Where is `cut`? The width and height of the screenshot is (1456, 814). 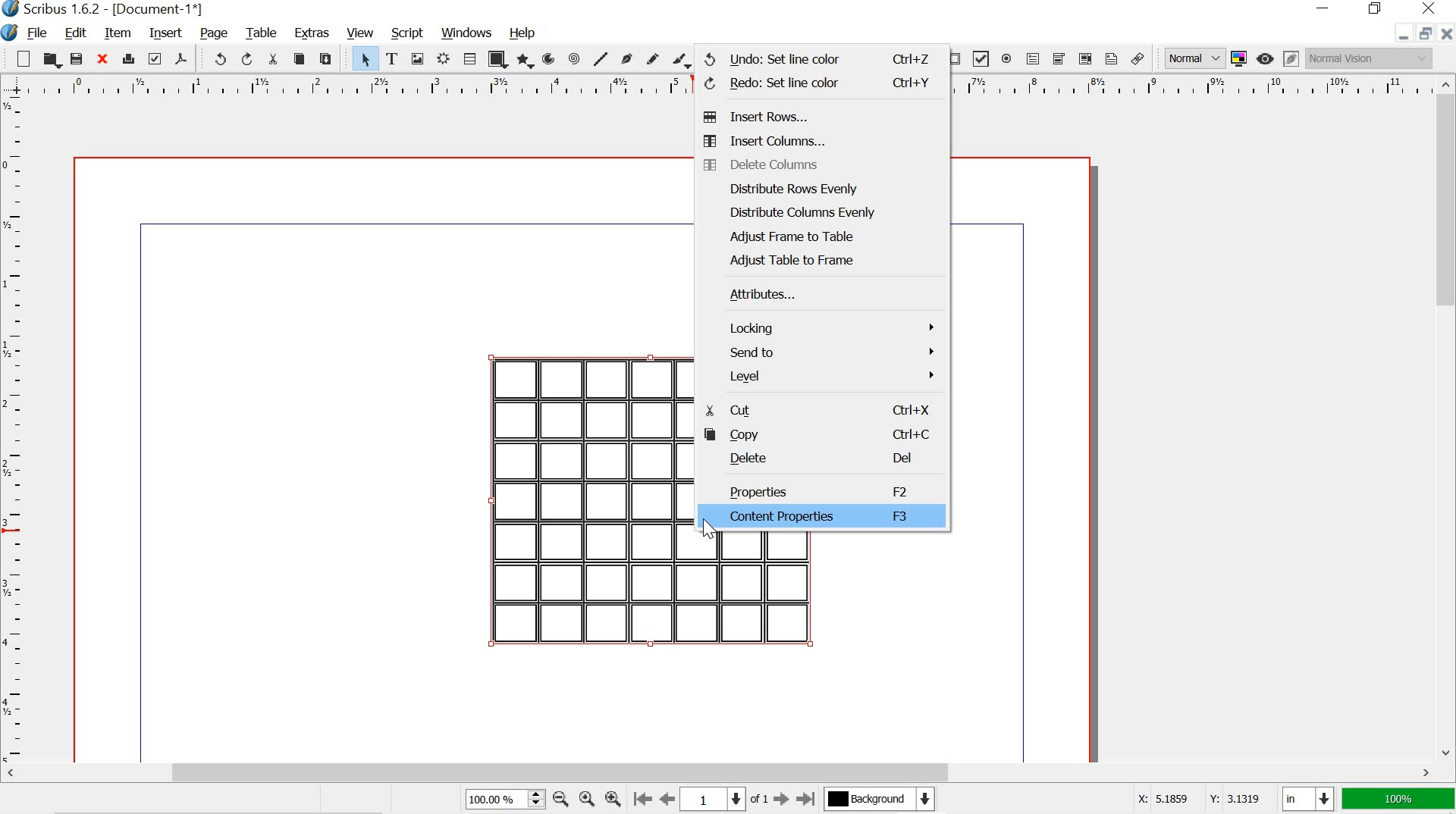
cut is located at coordinates (273, 61).